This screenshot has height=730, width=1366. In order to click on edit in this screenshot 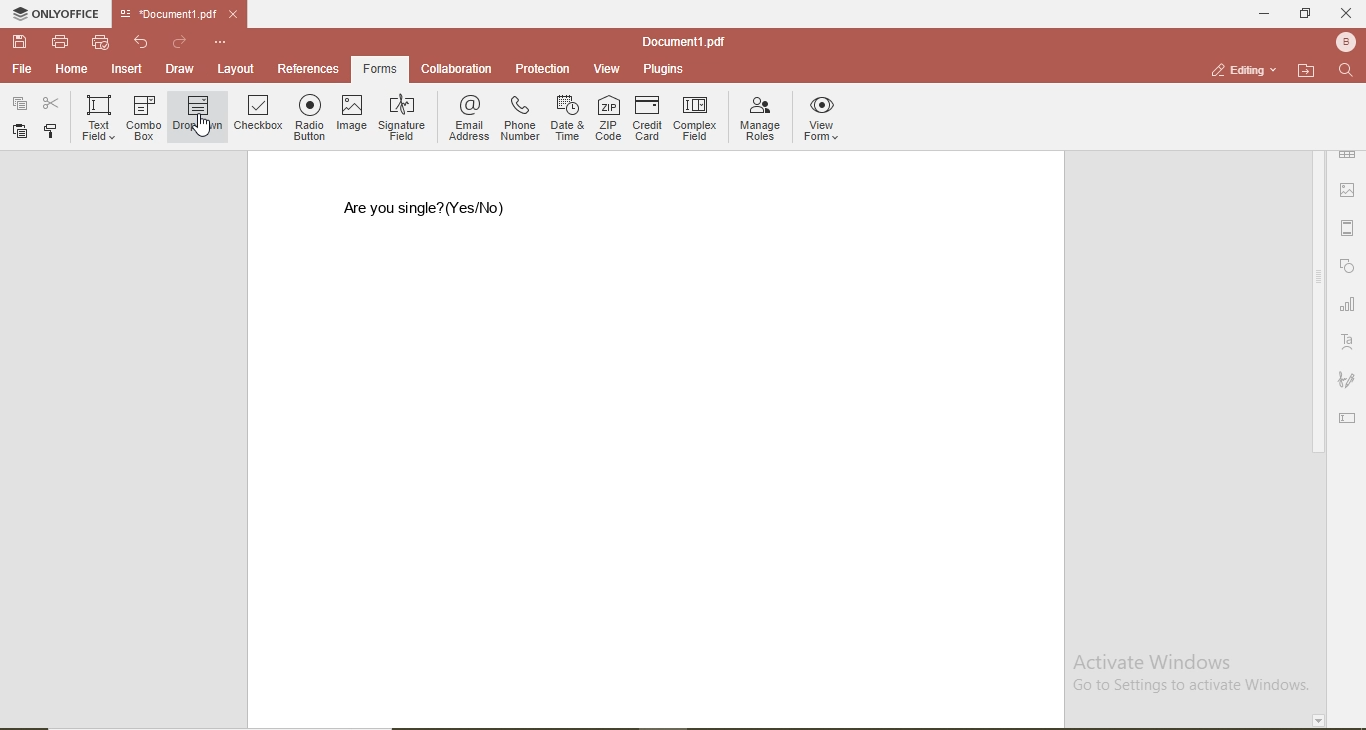, I will do `click(1350, 418)`.